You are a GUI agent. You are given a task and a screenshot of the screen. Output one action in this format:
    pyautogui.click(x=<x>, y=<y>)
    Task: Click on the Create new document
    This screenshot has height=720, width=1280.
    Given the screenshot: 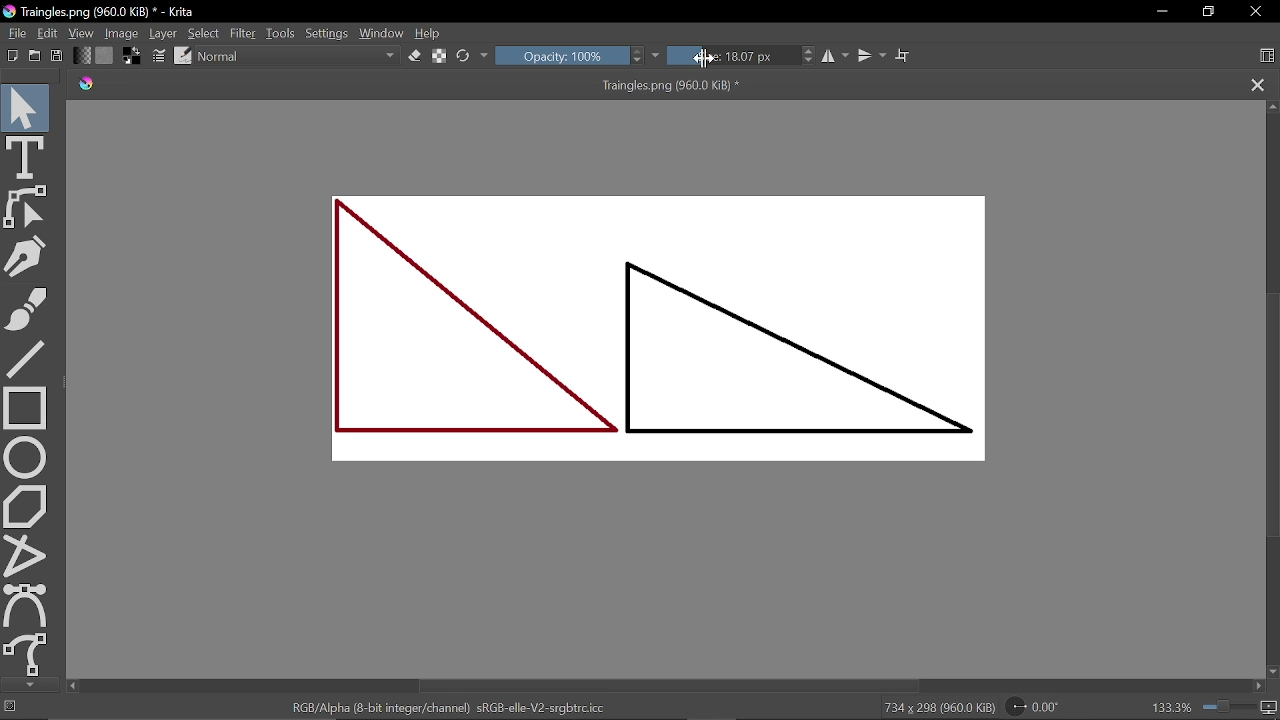 What is the action you would take?
    pyautogui.click(x=13, y=55)
    